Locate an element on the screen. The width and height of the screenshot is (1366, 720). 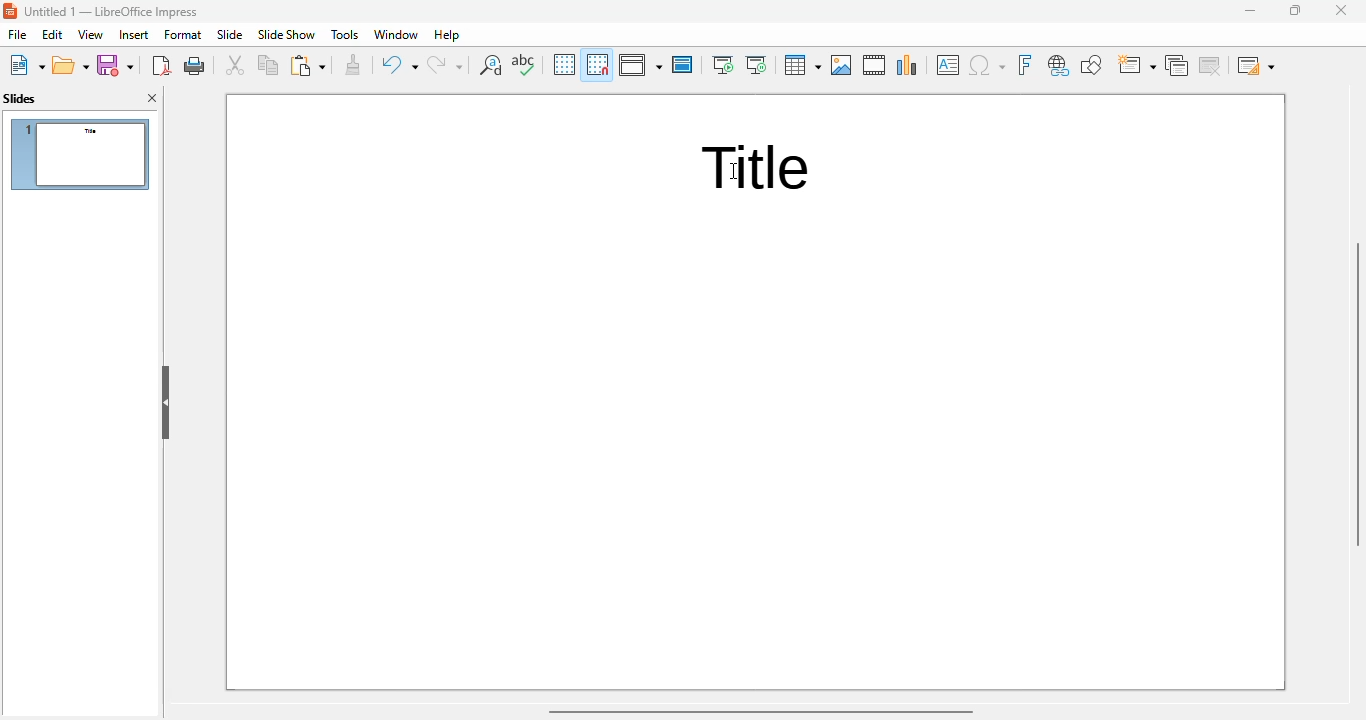
edit is located at coordinates (52, 34).